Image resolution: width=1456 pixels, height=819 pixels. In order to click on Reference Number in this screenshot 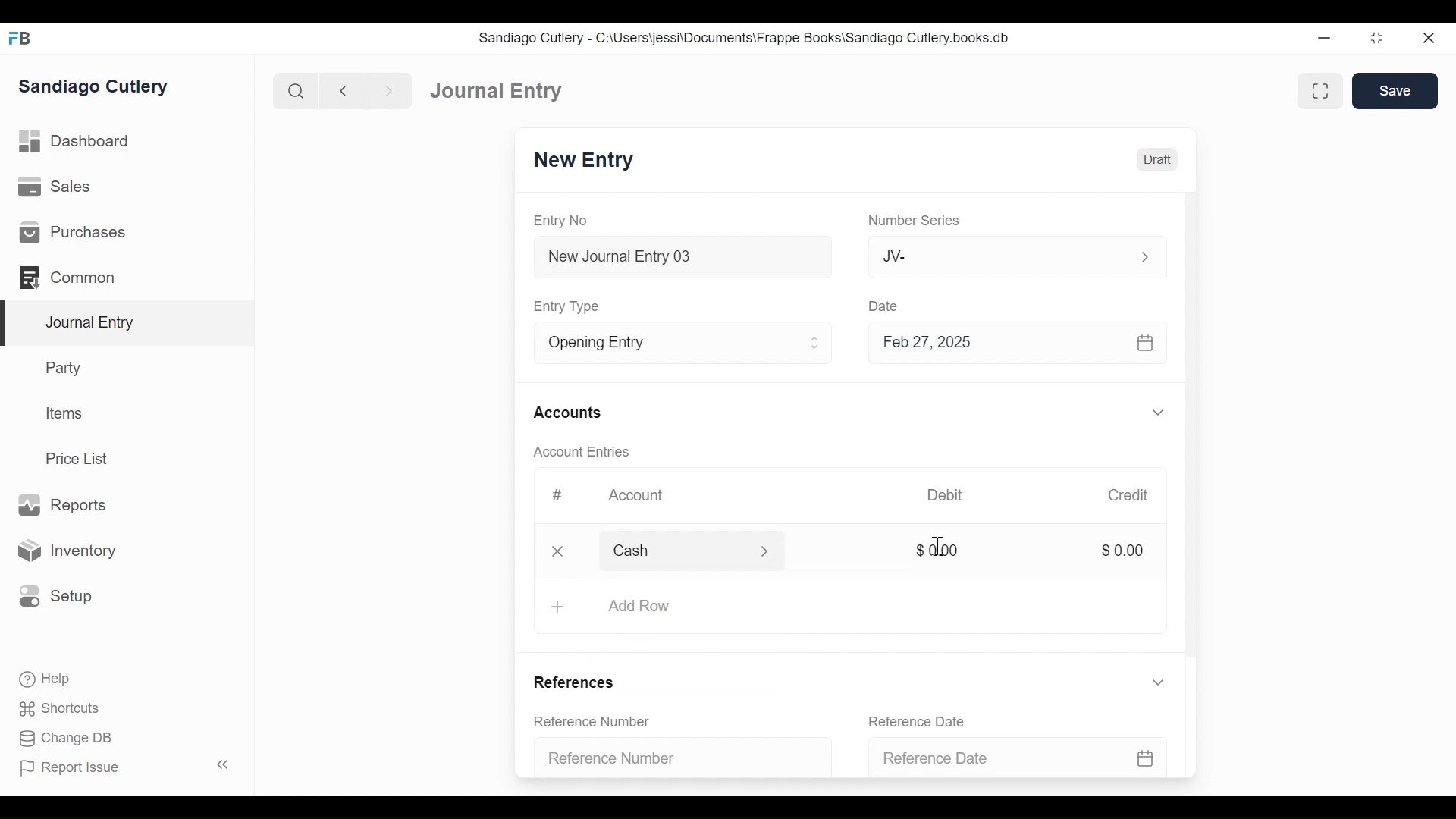, I will do `click(592, 723)`.